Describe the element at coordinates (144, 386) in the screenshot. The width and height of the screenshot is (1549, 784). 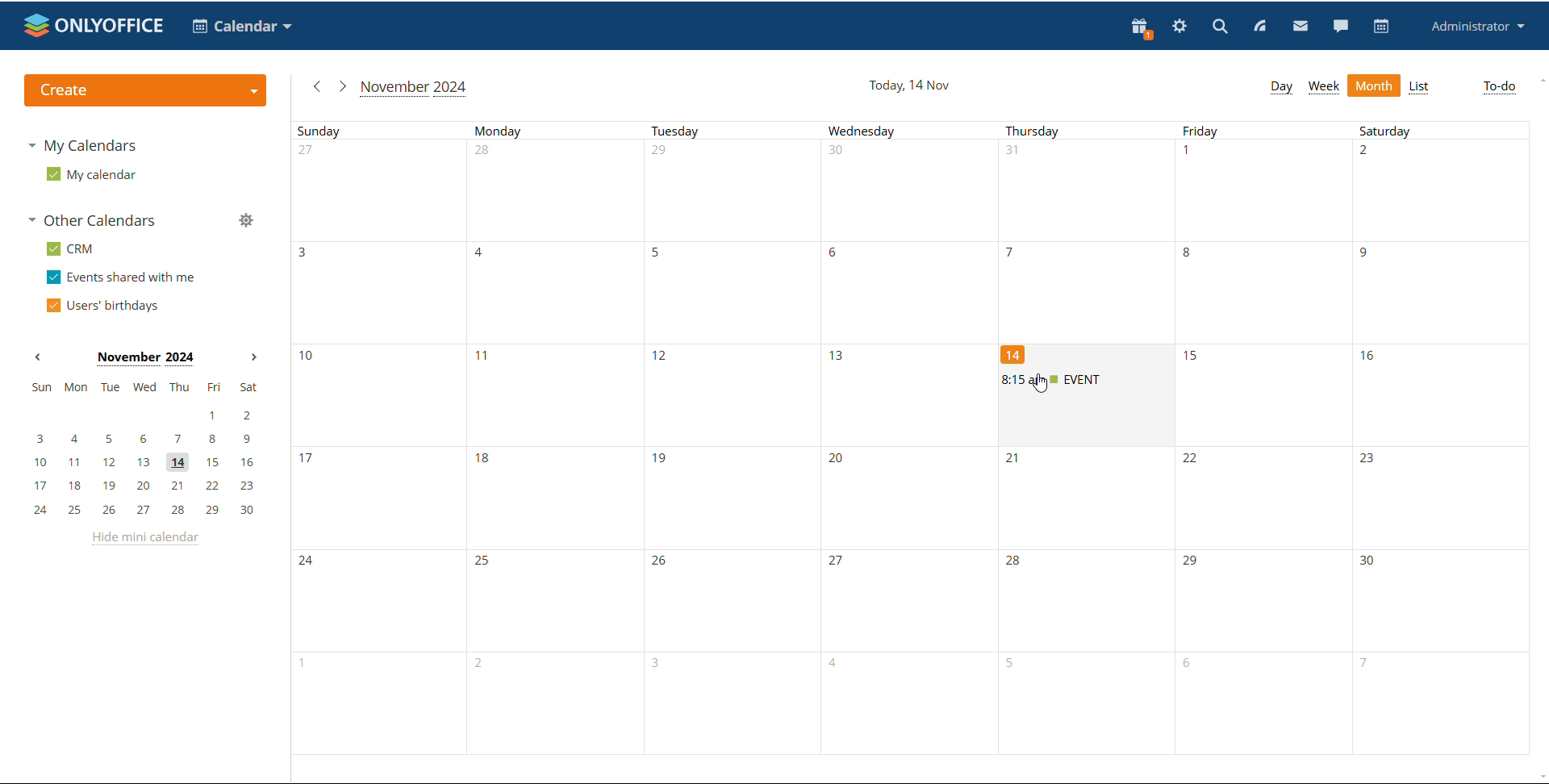
I see `mon, tue, wed, thu, fri, sat, sun` at that location.